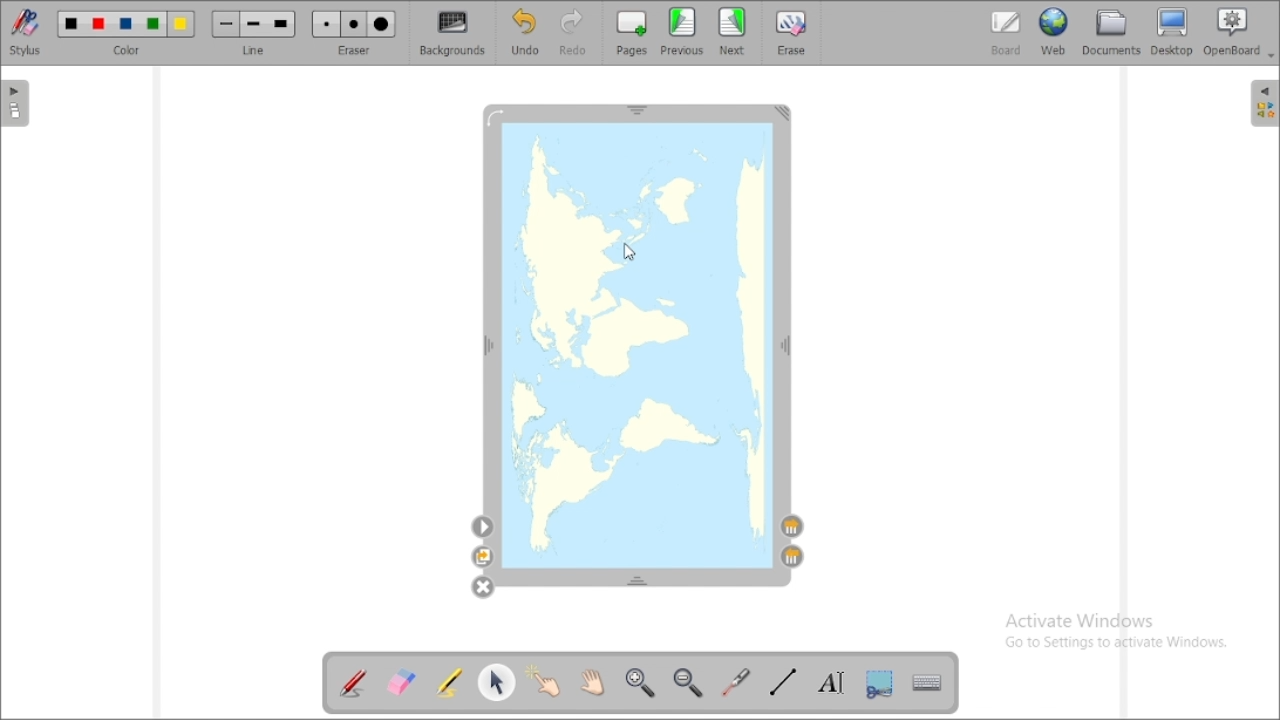 The width and height of the screenshot is (1280, 720). Describe the element at coordinates (497, 682) in the screenshot. I see `select and modify objects` at that location.